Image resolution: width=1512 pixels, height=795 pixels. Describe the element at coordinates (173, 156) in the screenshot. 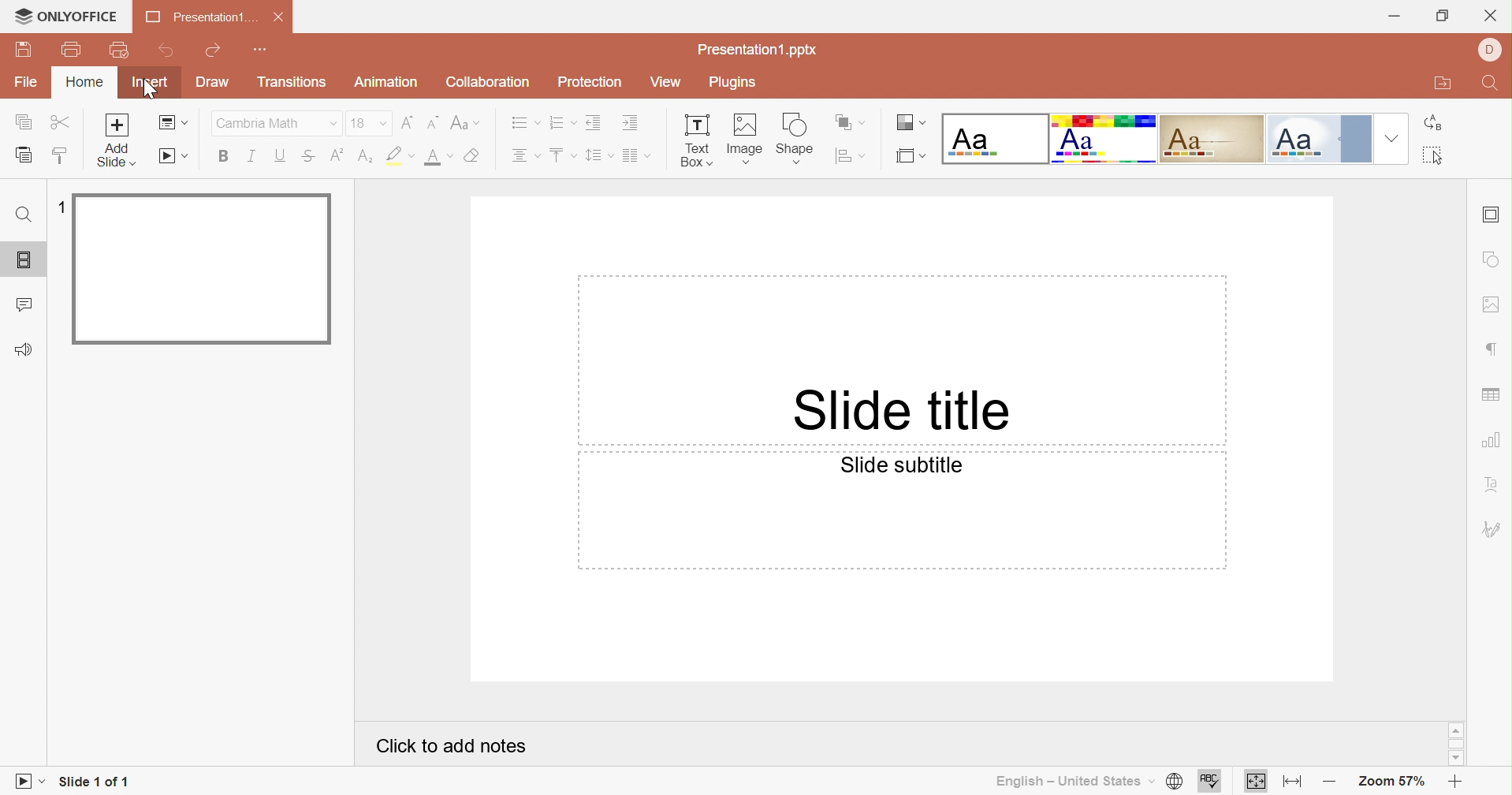

I see `Start Slideshow` at that location.